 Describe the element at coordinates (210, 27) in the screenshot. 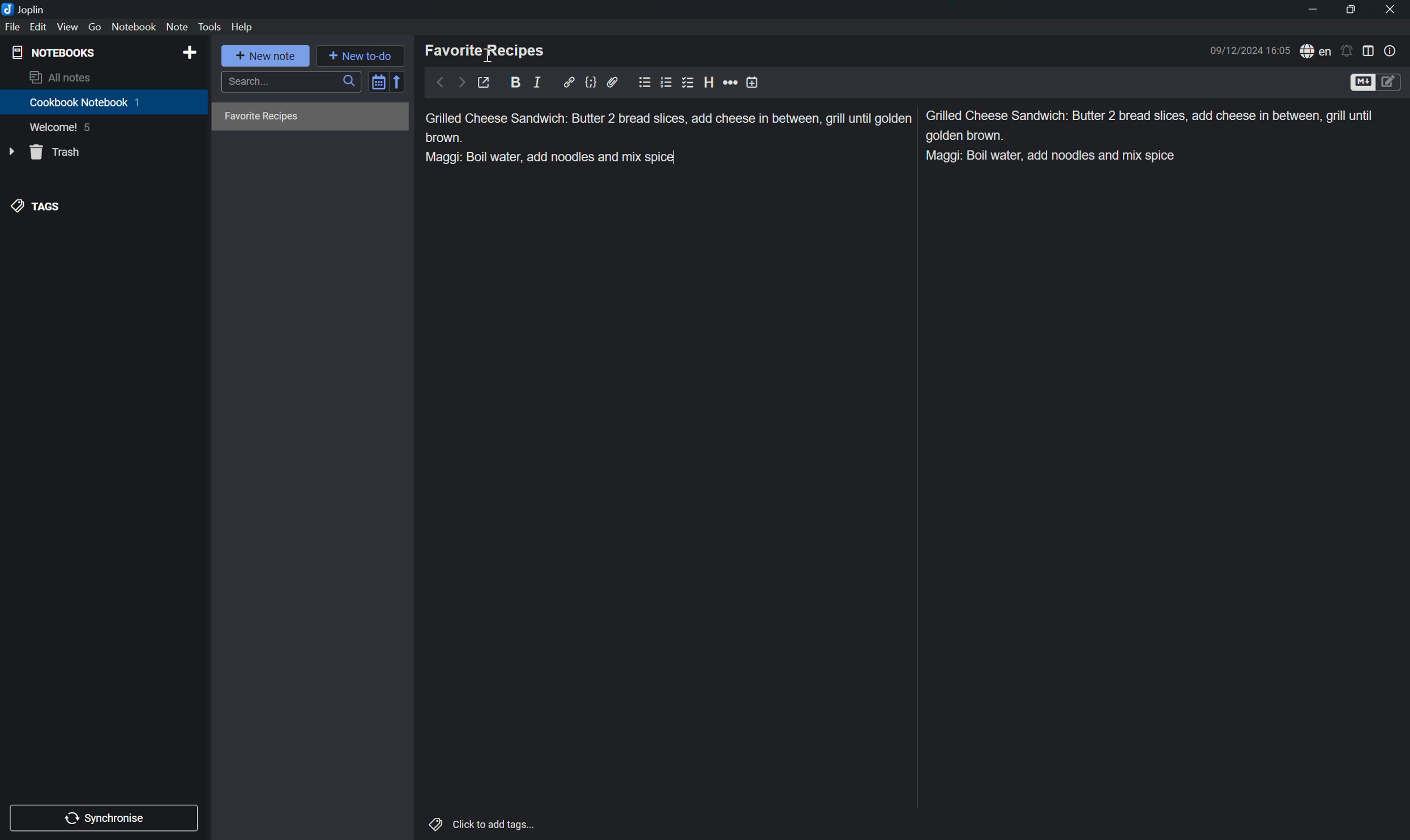

I see `Tools` at that location.